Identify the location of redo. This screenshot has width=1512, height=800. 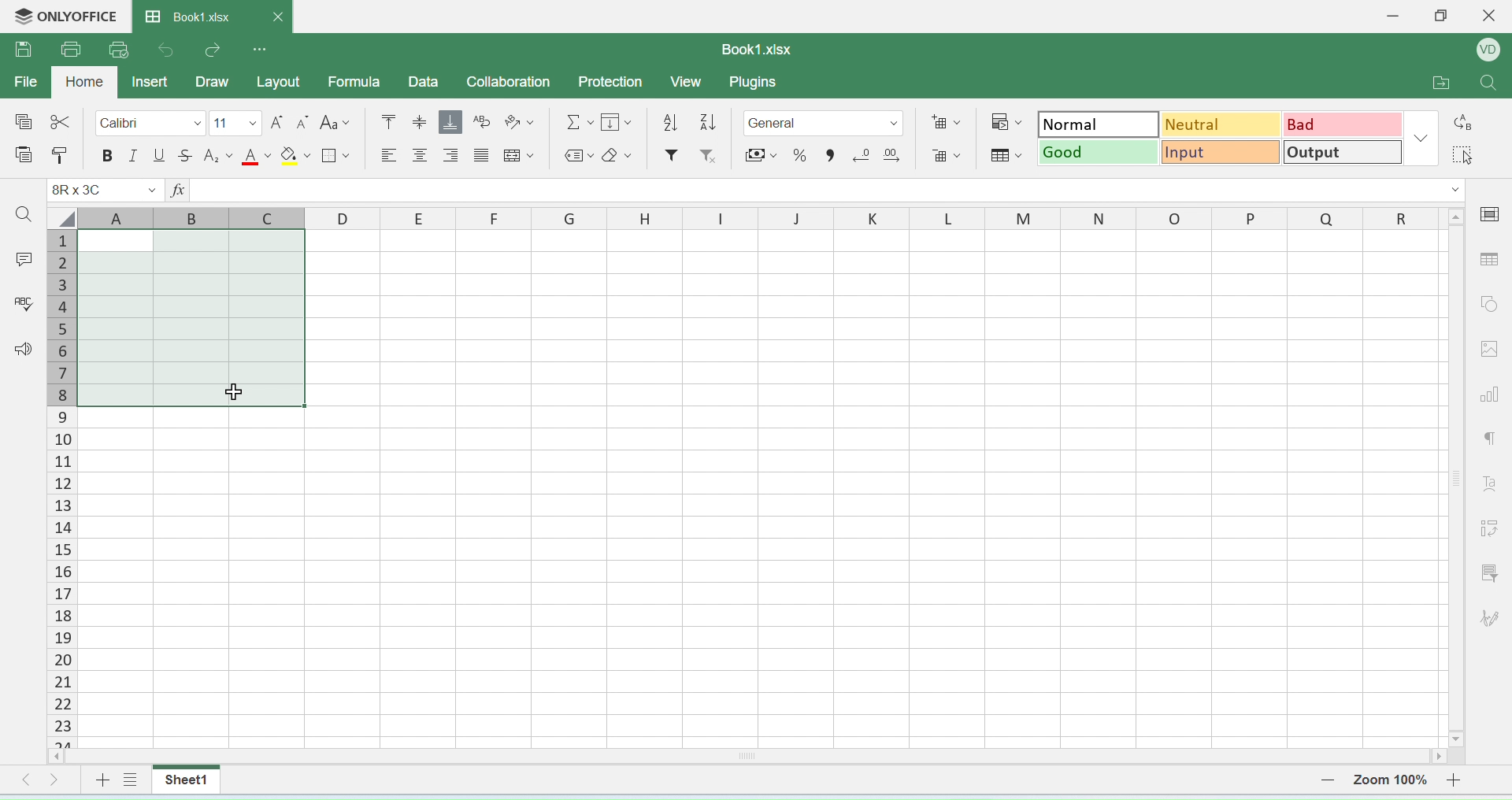
(213, 50).